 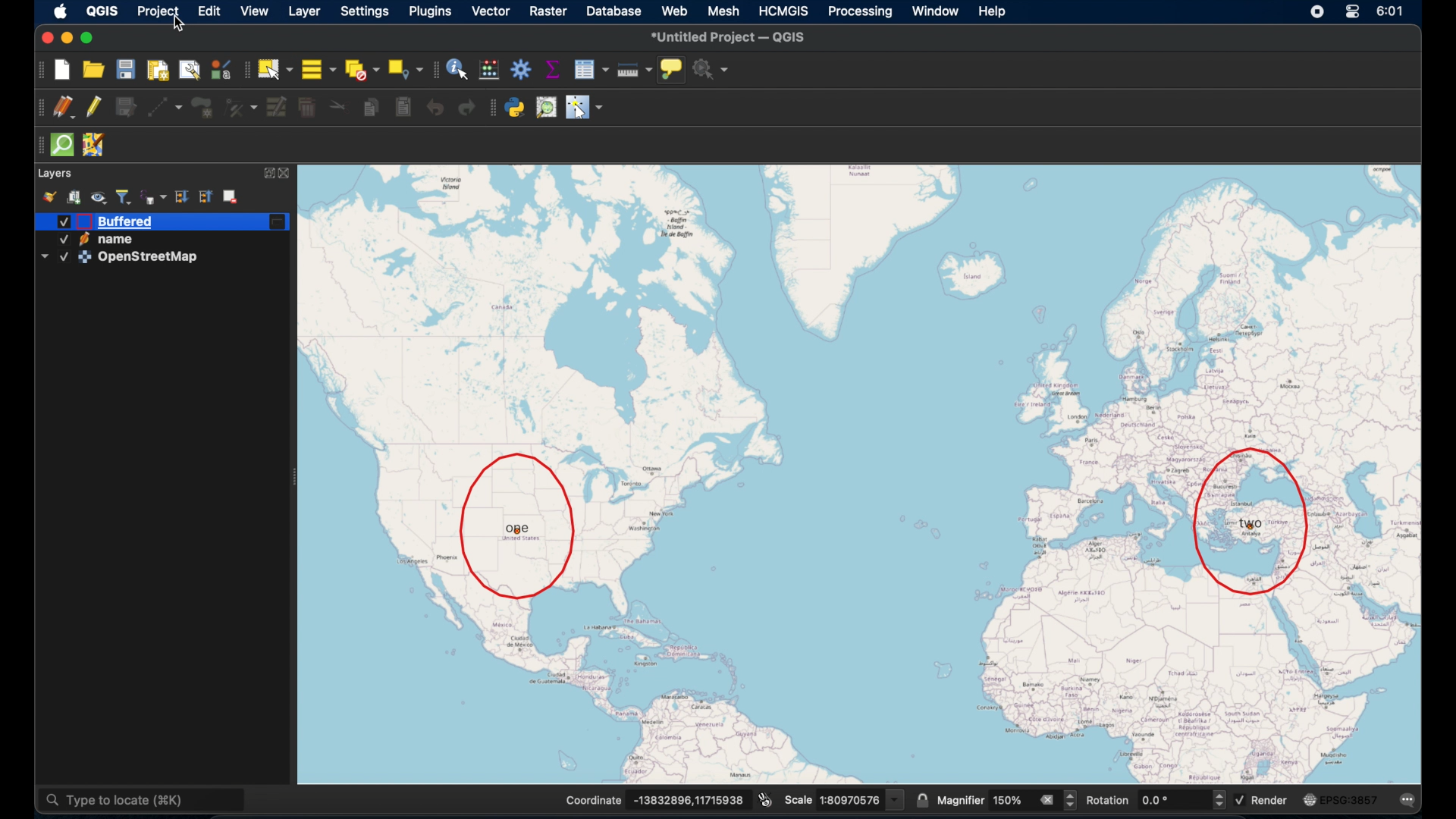 What do you see at coordinates (674, 8) in the screenshot?
I see `web` at bounding box center [674, 8].